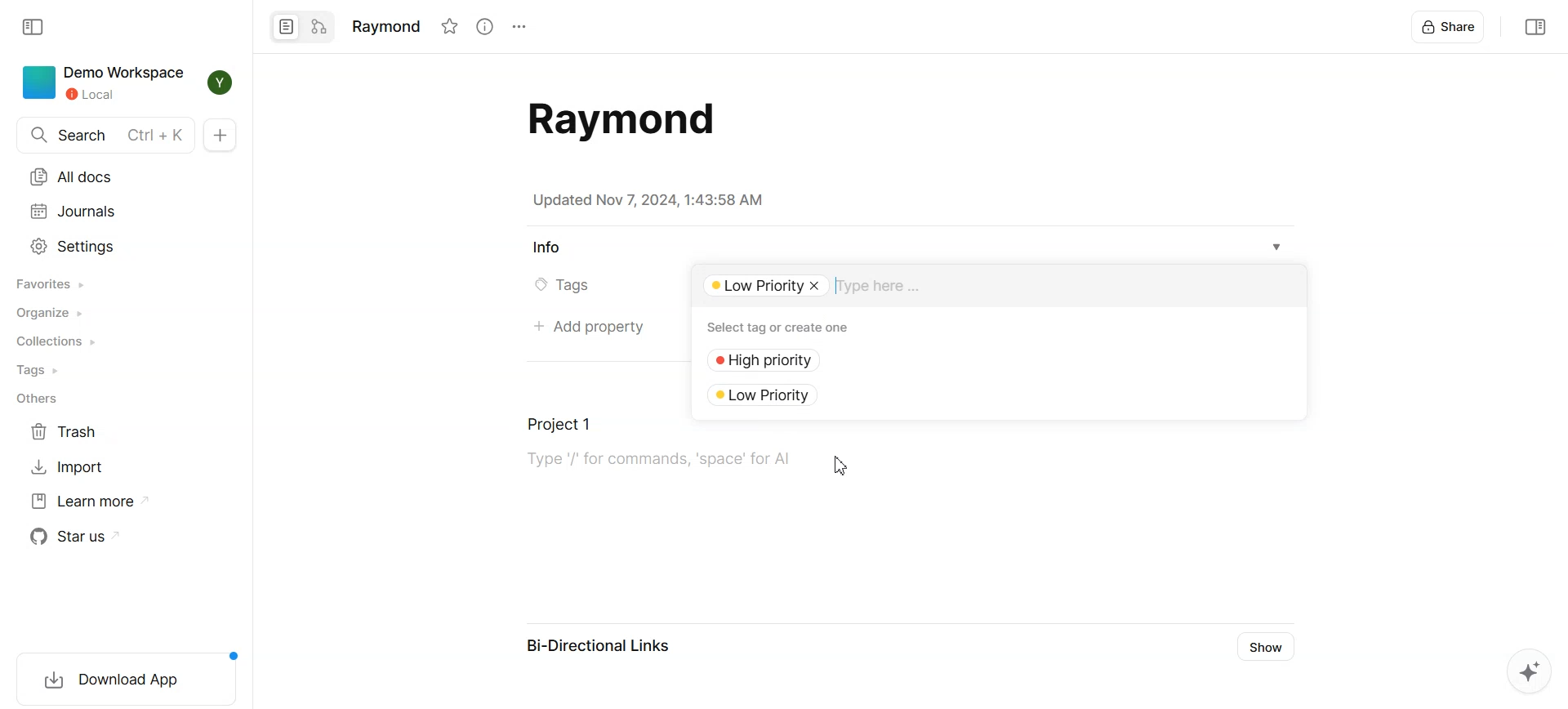 The height and width of the screenshot is (709, 1568). I want to click on Low priority tag, so click(754, 287).